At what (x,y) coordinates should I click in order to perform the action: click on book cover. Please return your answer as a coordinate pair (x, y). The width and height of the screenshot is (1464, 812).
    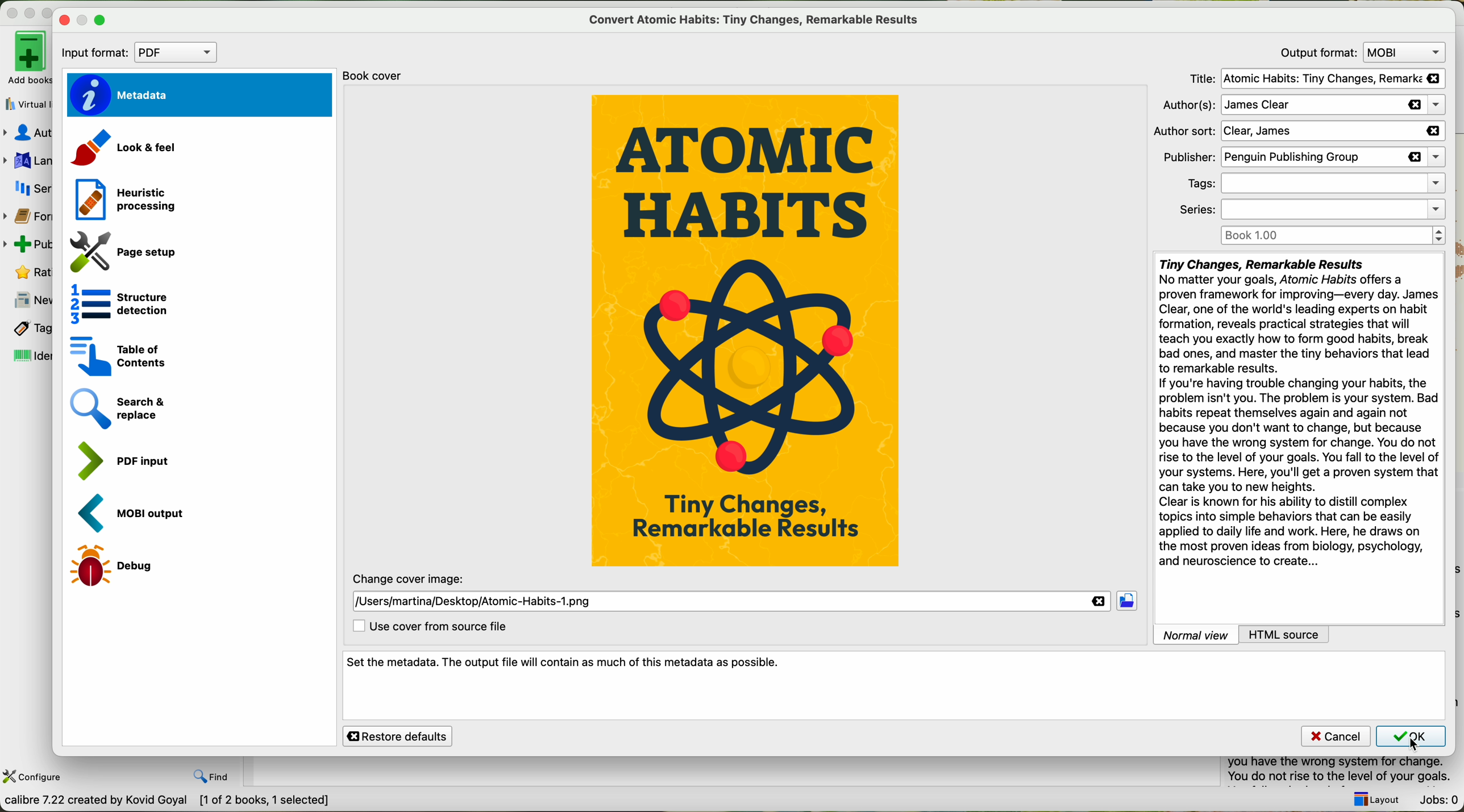
    Looking at the image, I should click on (372, 73).